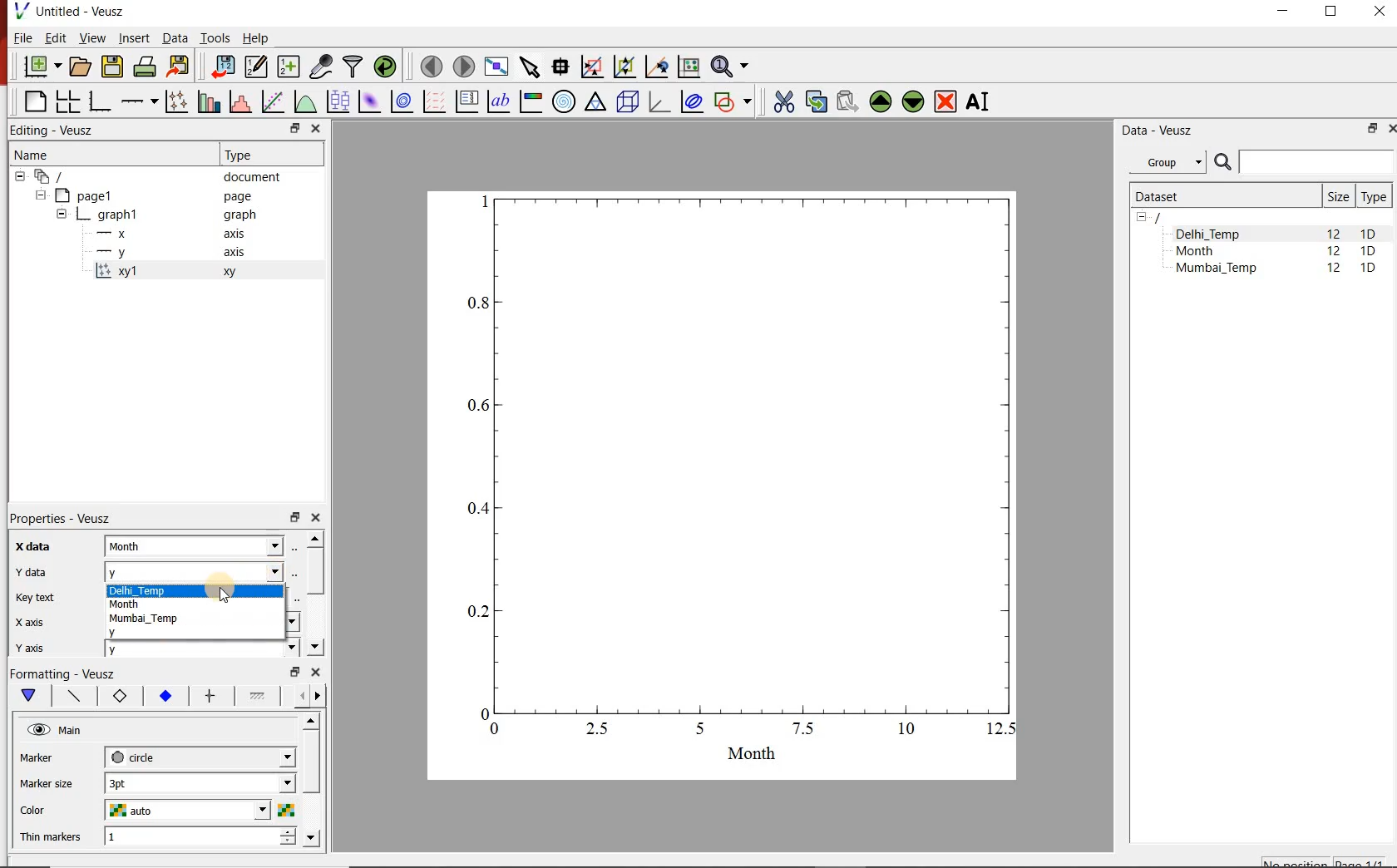 The width and height of the screenshot is (1397, 868). I want to click on plot box plots, so click(338, 101).